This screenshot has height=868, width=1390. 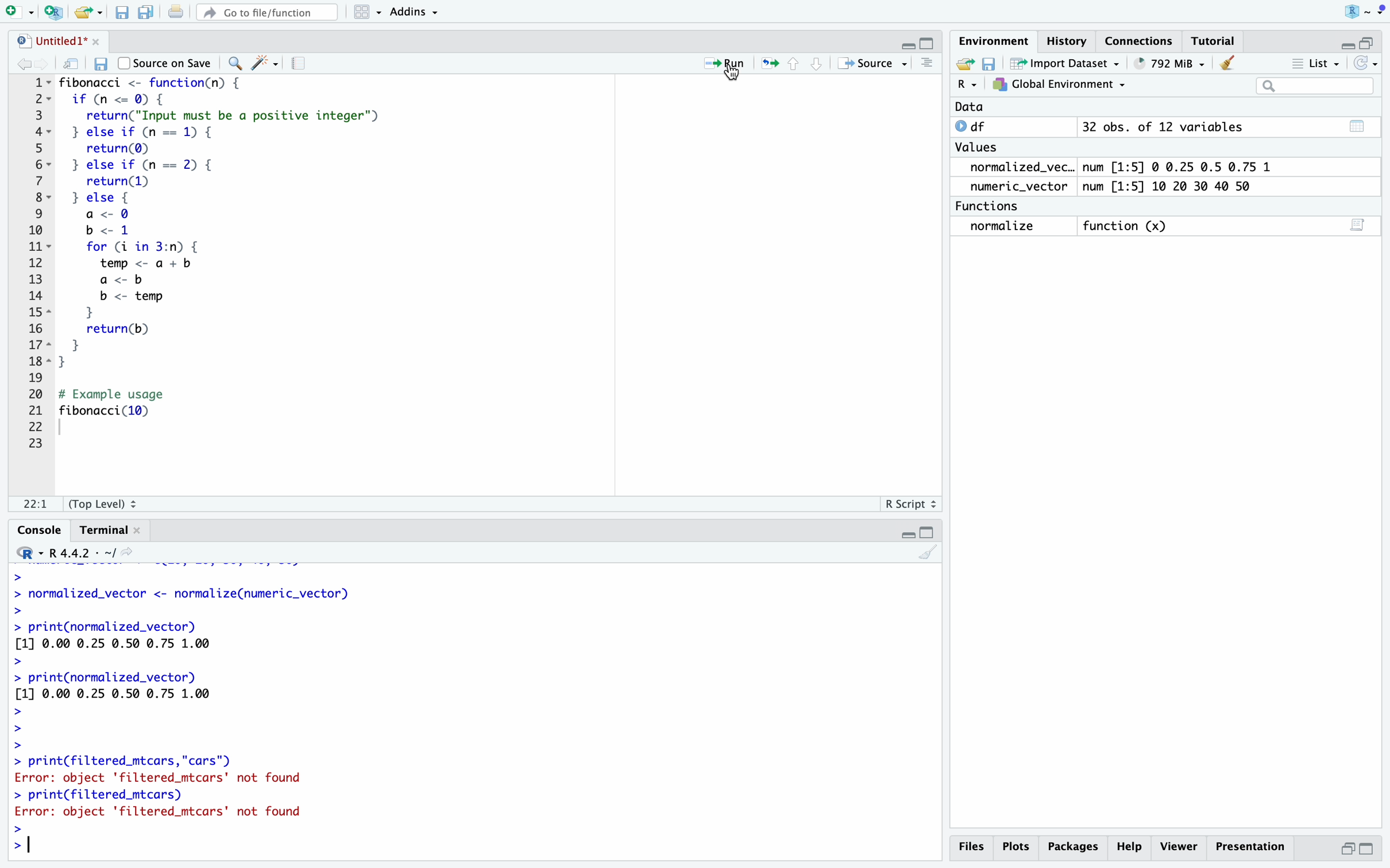 I want to click on R Script, so click(x=911, y=505).